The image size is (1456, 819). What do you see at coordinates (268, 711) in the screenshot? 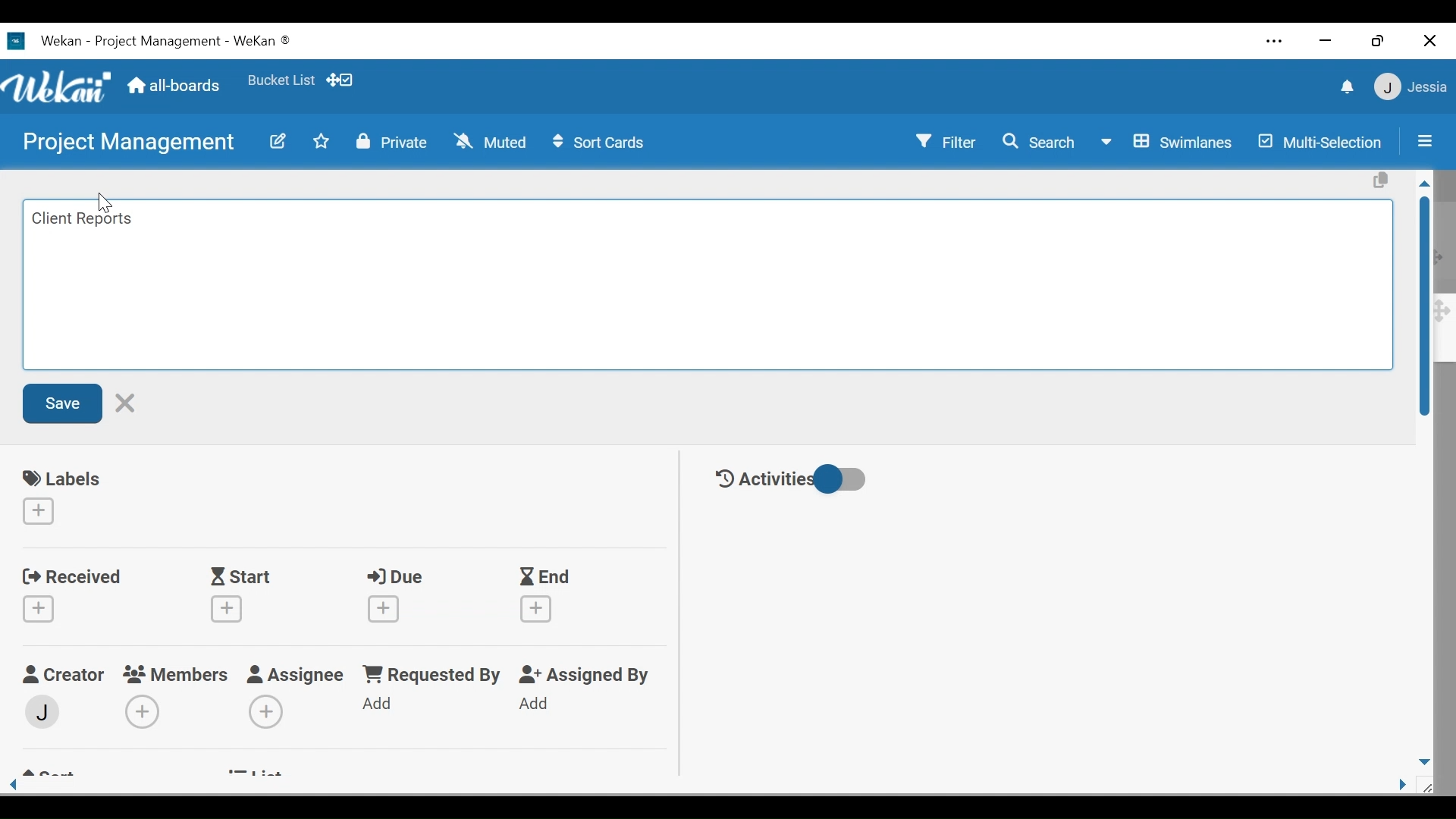
I see `Add Assignees` at bounding box center [268, 711].